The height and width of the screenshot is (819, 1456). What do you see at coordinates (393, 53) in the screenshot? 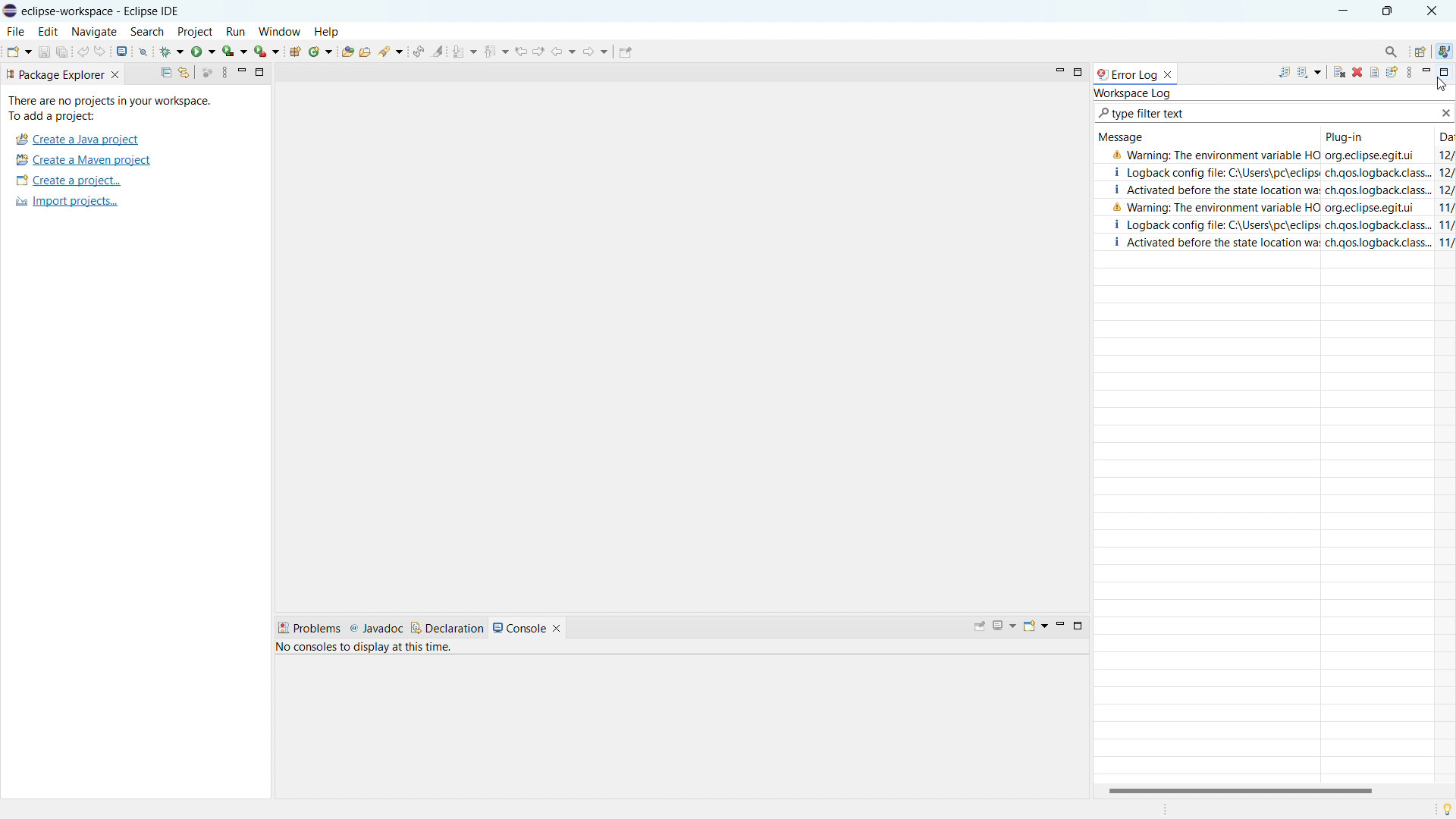
I see `search` at bounding box center [393, 53].